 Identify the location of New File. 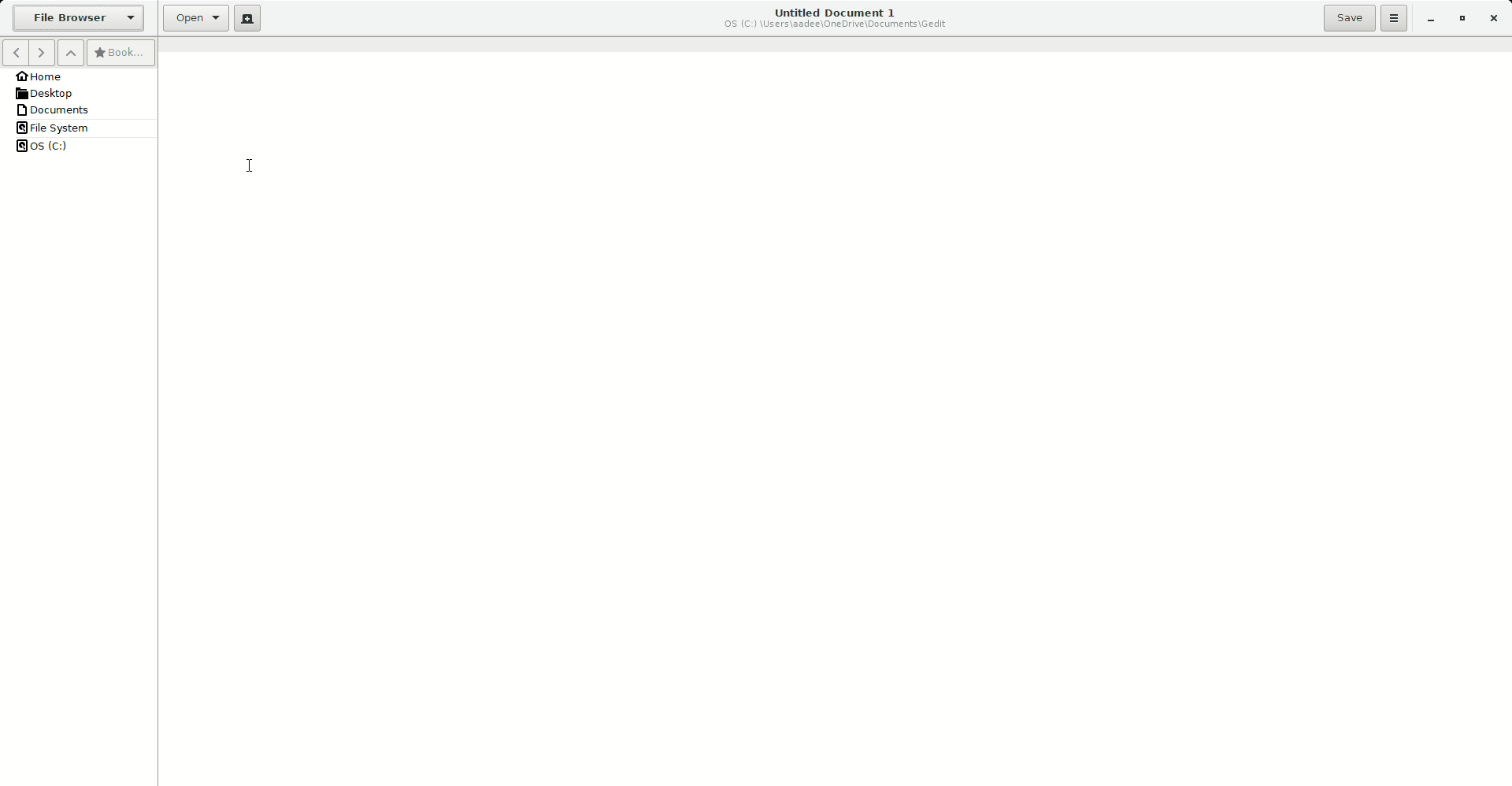
(247, 19).